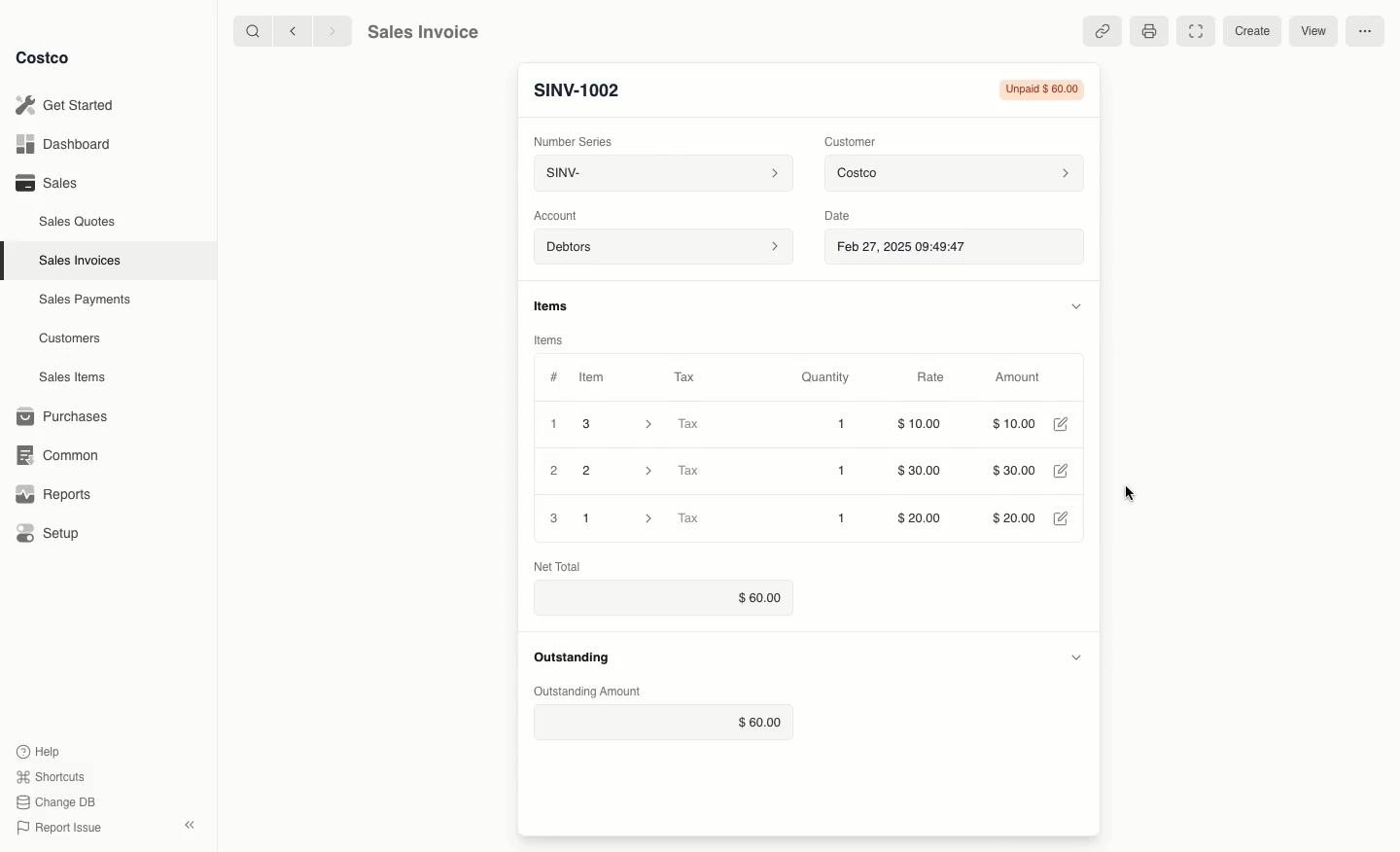 The image size is (1400, 852). What do you see at coordinates (1371, 32) in the screenshot?
I see `More options ` at bounding box center [1371, 32].